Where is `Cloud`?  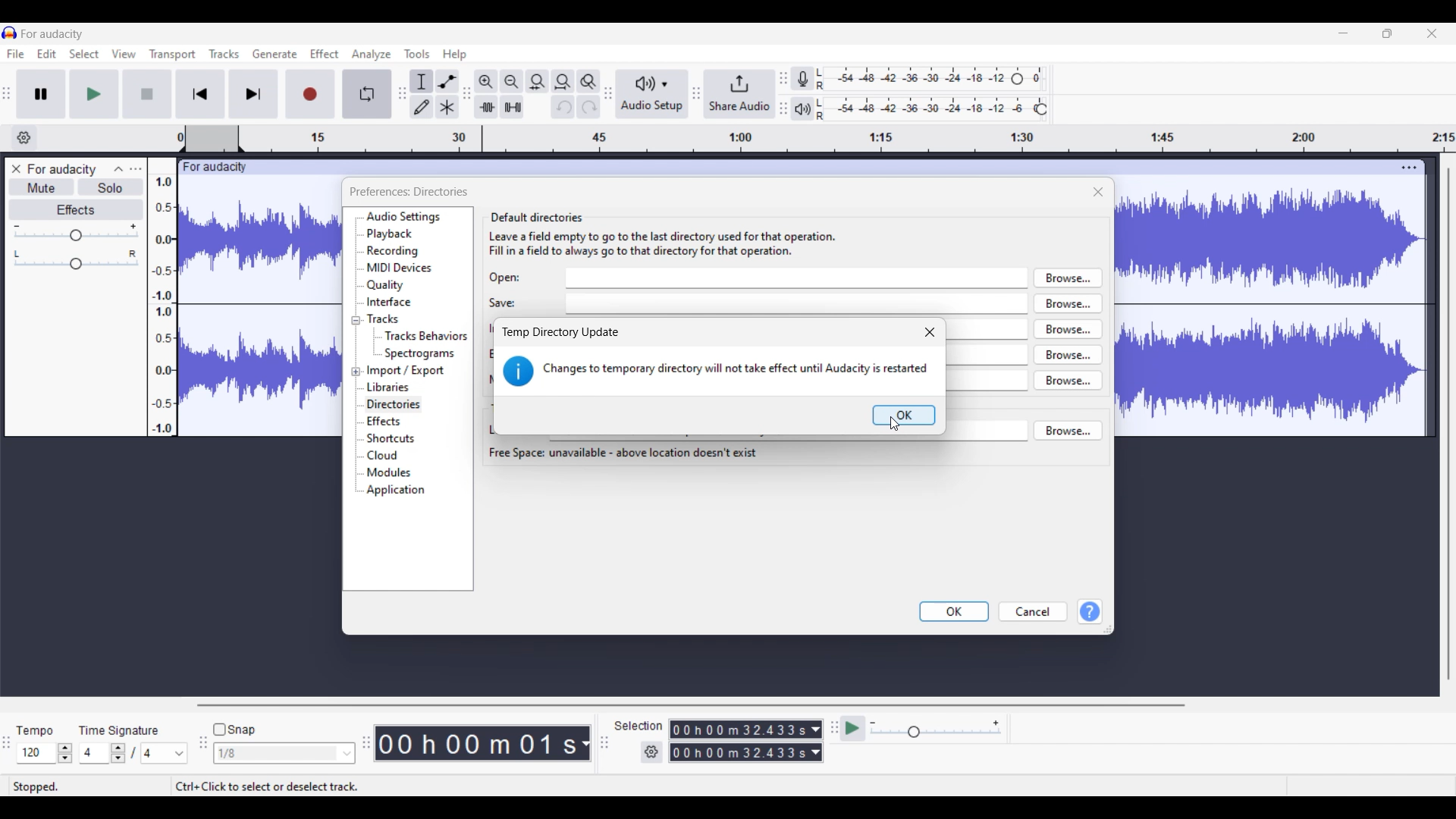
Cloud is located at coordinates (383, 455).